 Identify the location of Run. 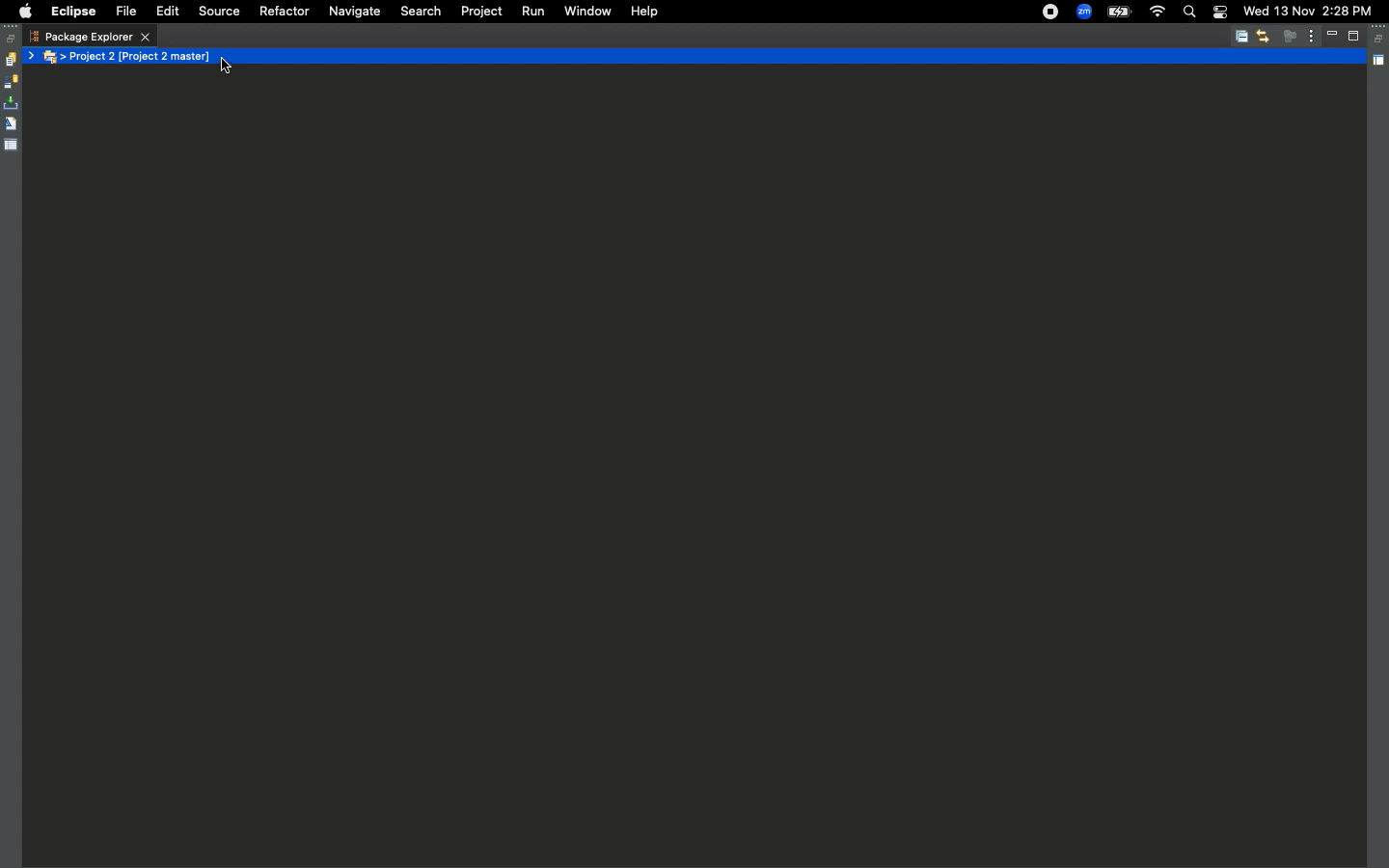
(531, 12).